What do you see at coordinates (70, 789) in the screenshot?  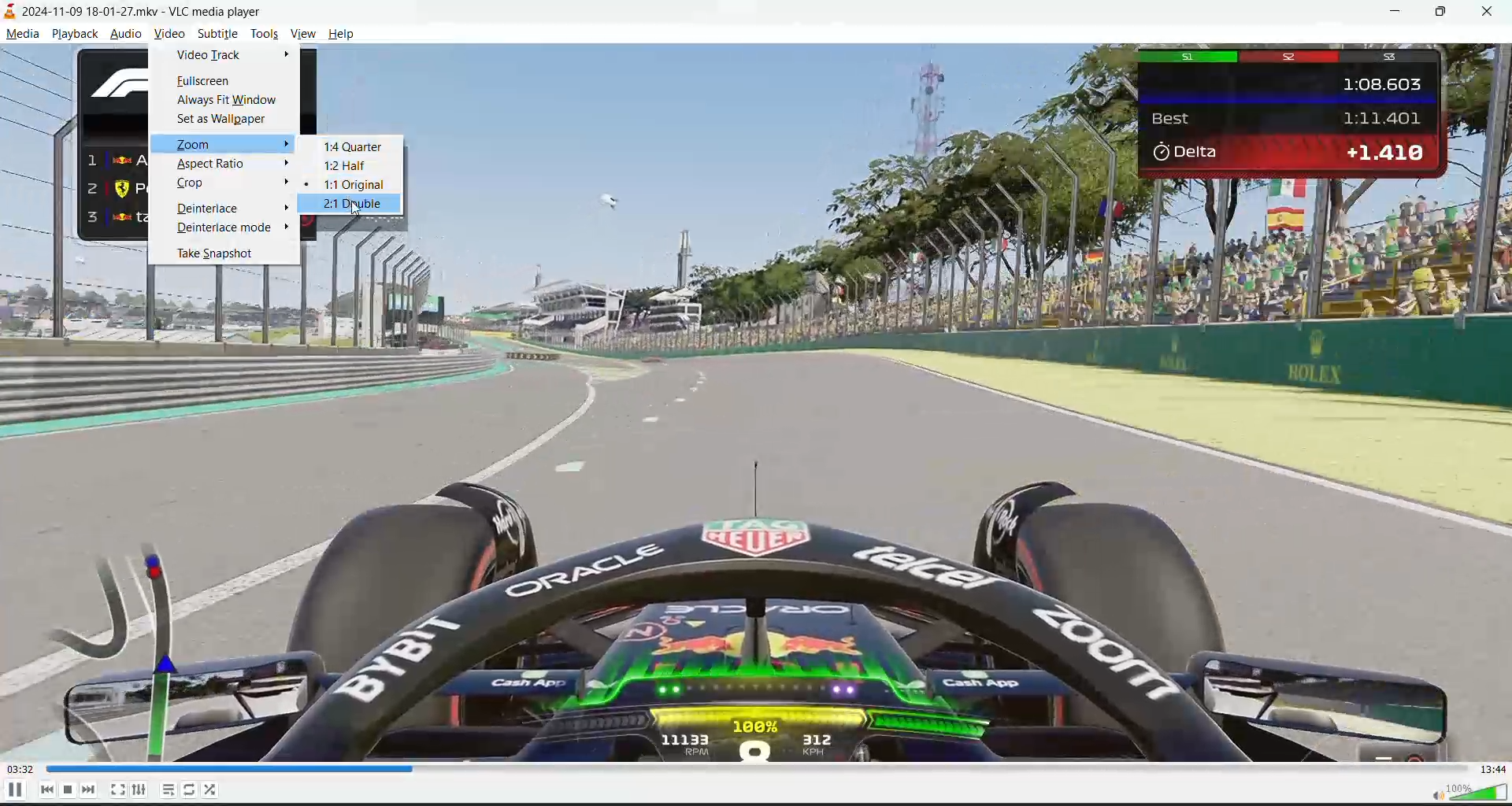 I see `stop` at bounding box center [70, 789].